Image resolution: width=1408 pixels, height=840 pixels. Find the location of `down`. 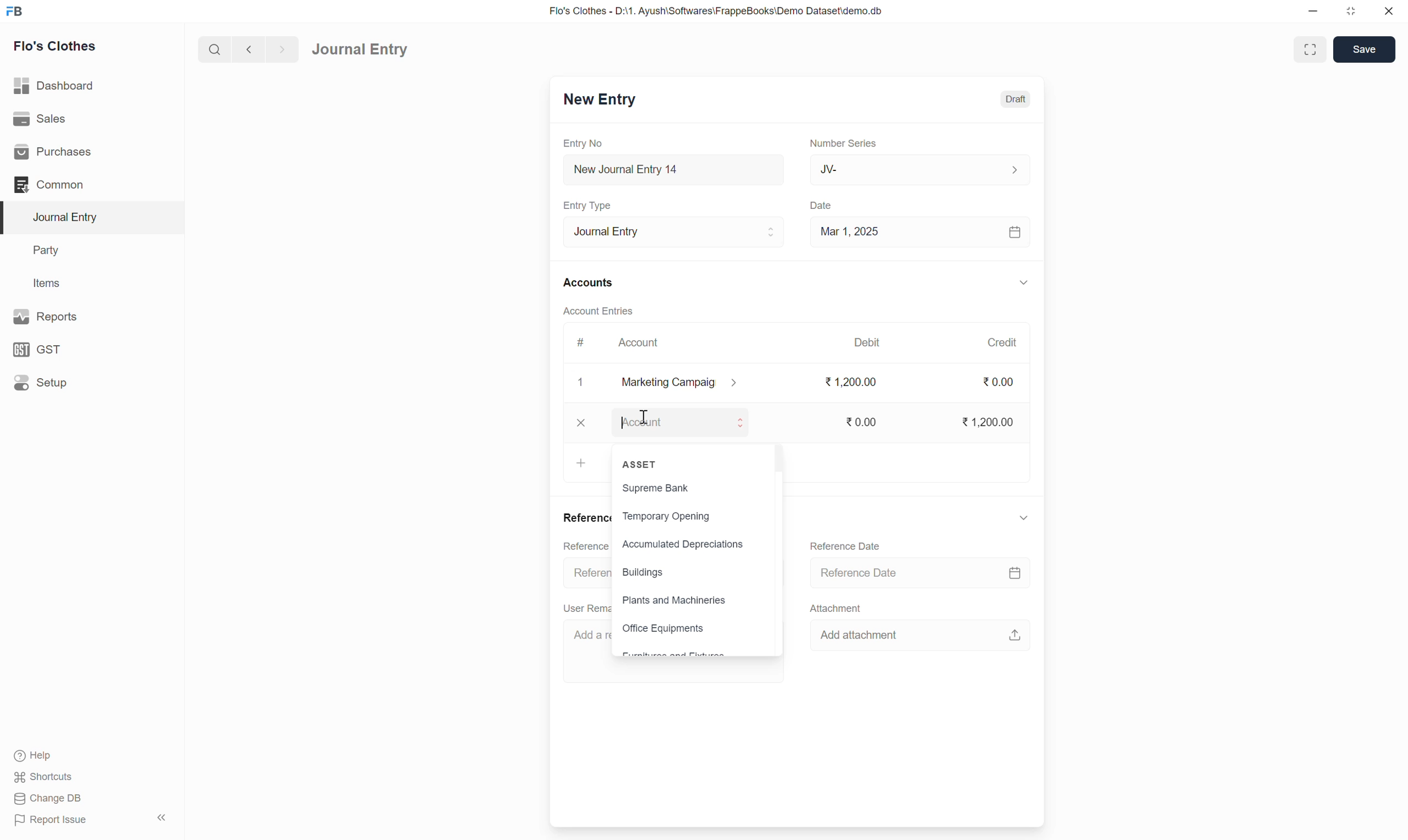

down is located at coordinates (1022, 284).